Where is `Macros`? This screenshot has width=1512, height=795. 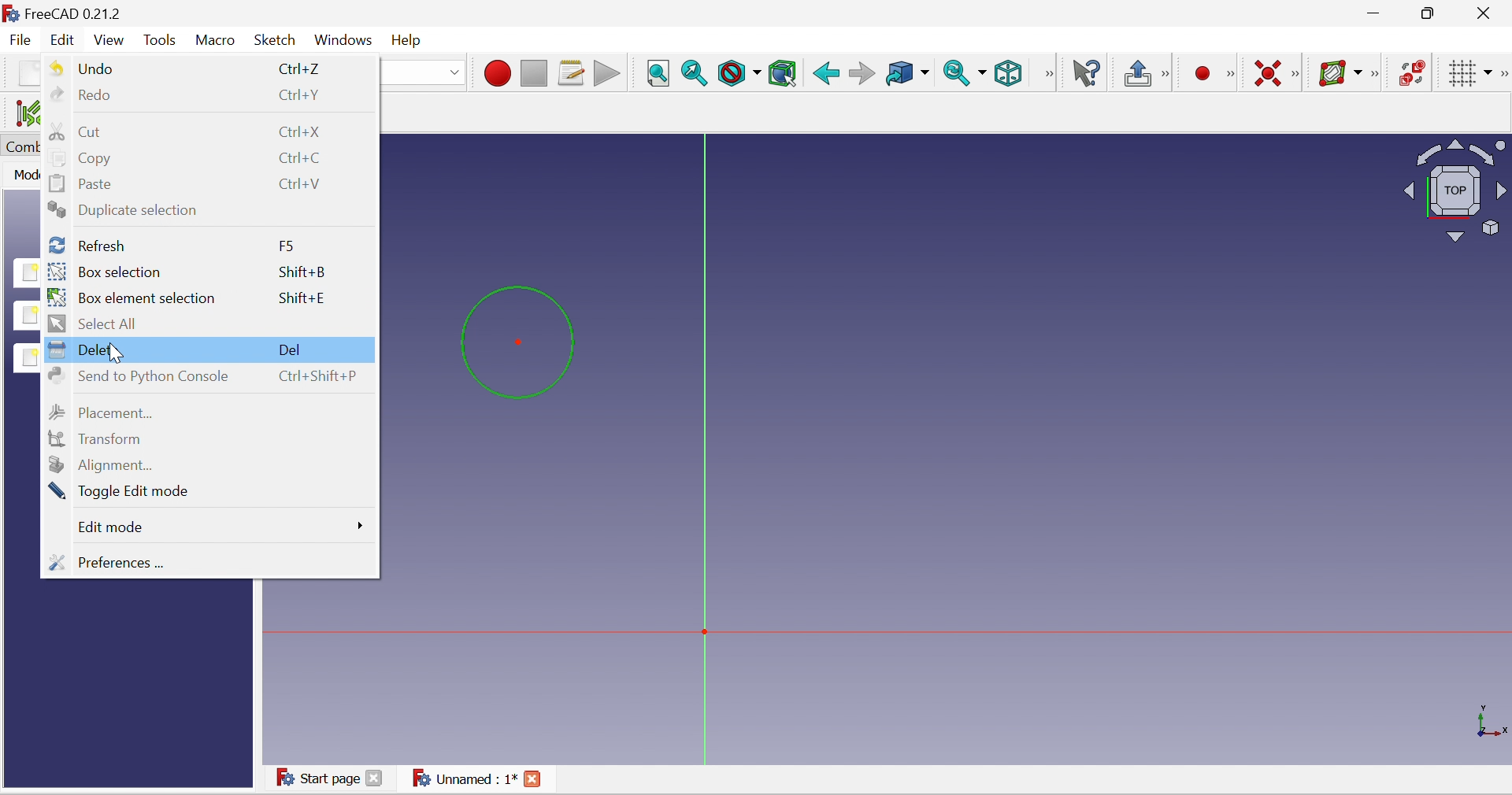
Macros is located at coordinates (572, 73).